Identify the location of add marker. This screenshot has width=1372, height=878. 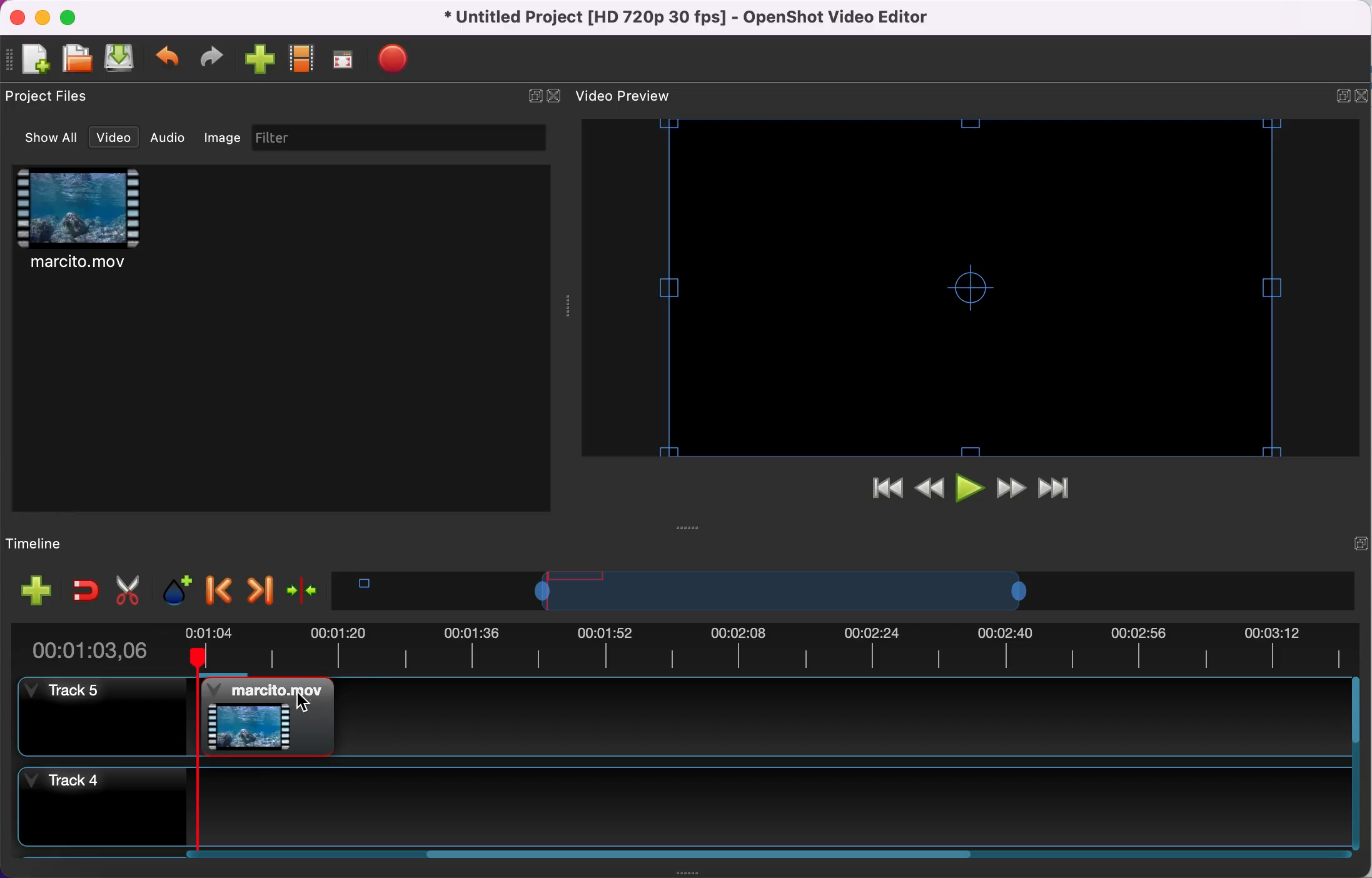
(173, 590).